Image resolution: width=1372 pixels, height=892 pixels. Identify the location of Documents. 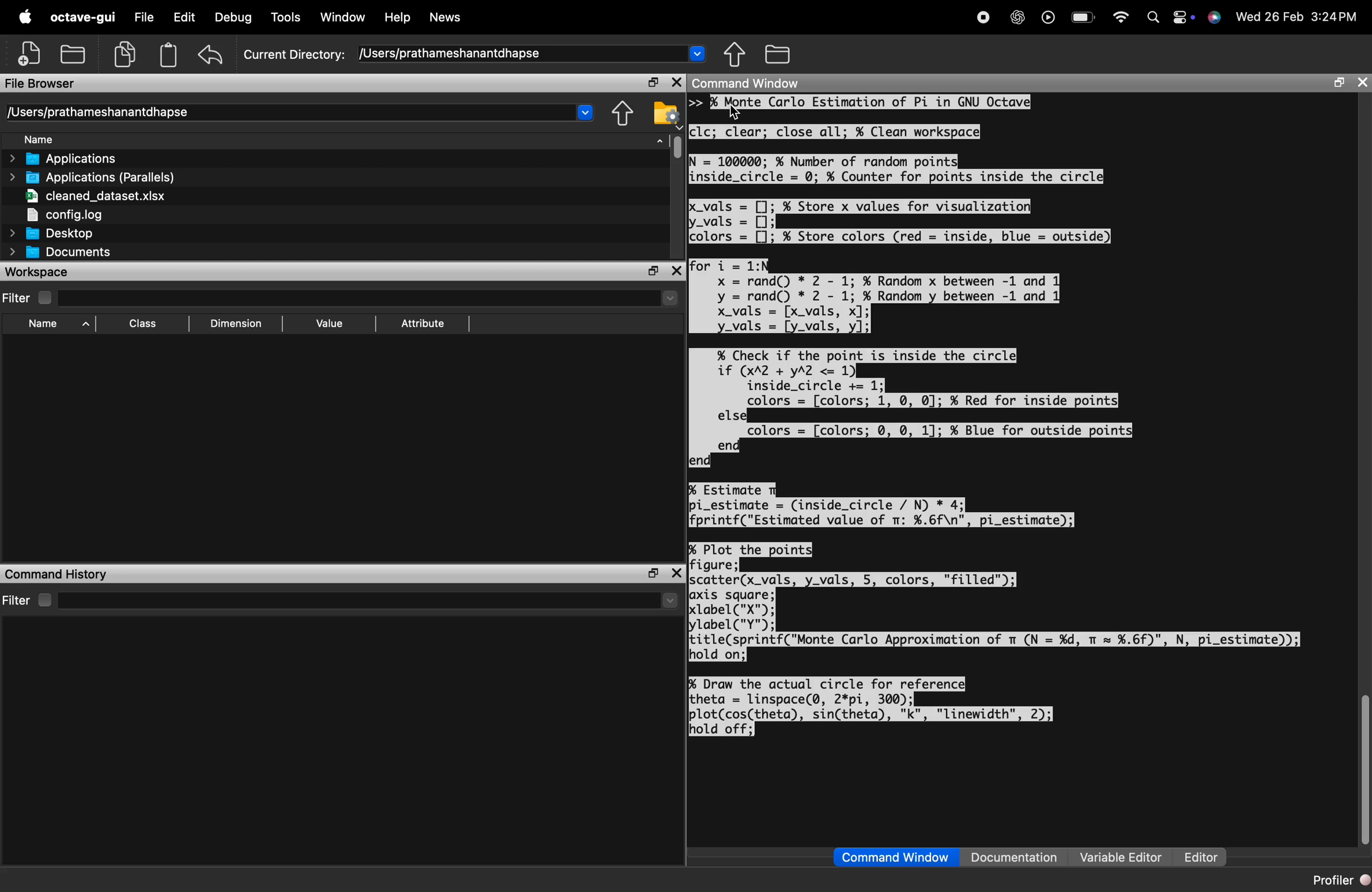
(61, 253).